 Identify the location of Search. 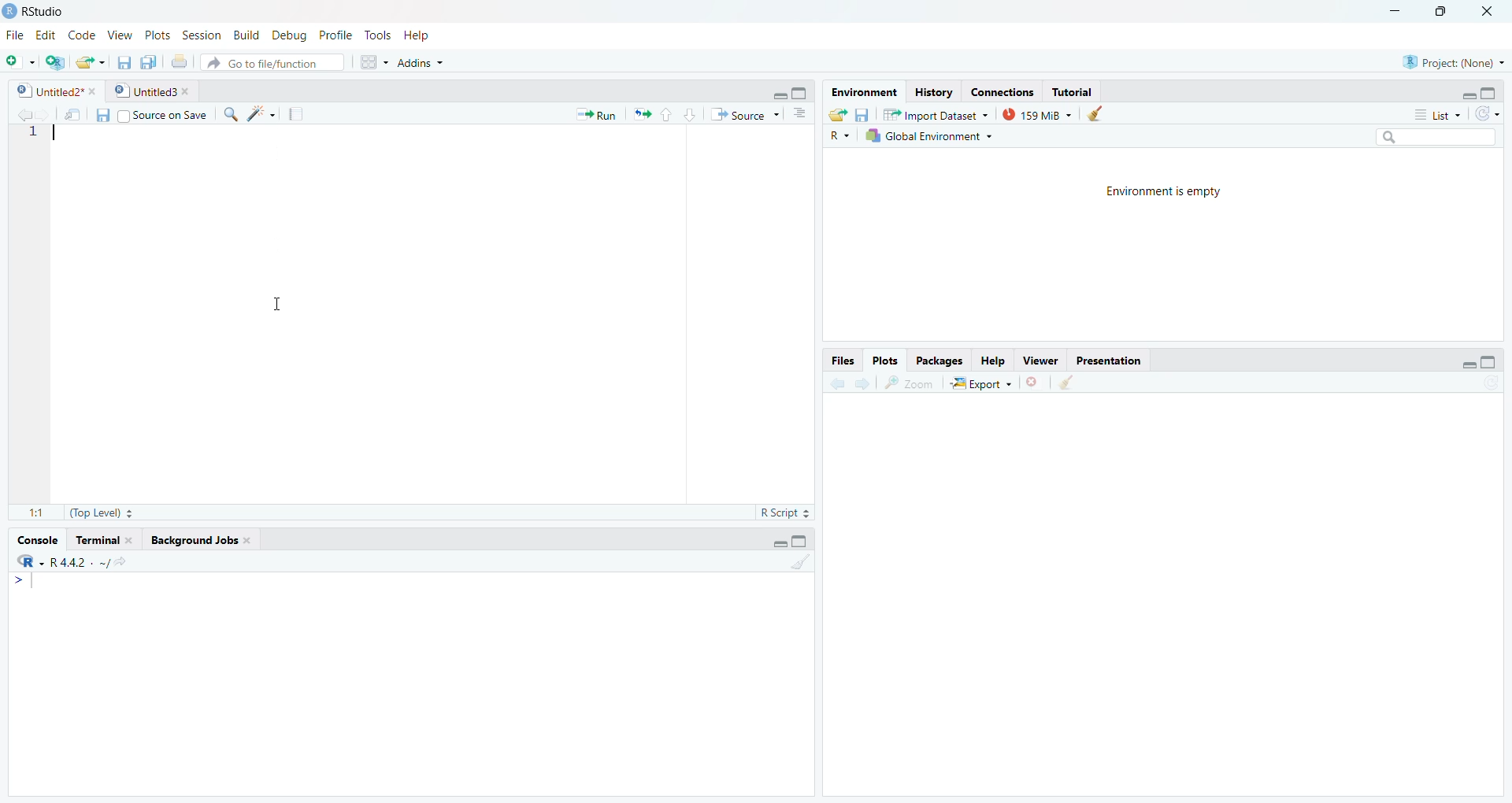
(1433, 136).